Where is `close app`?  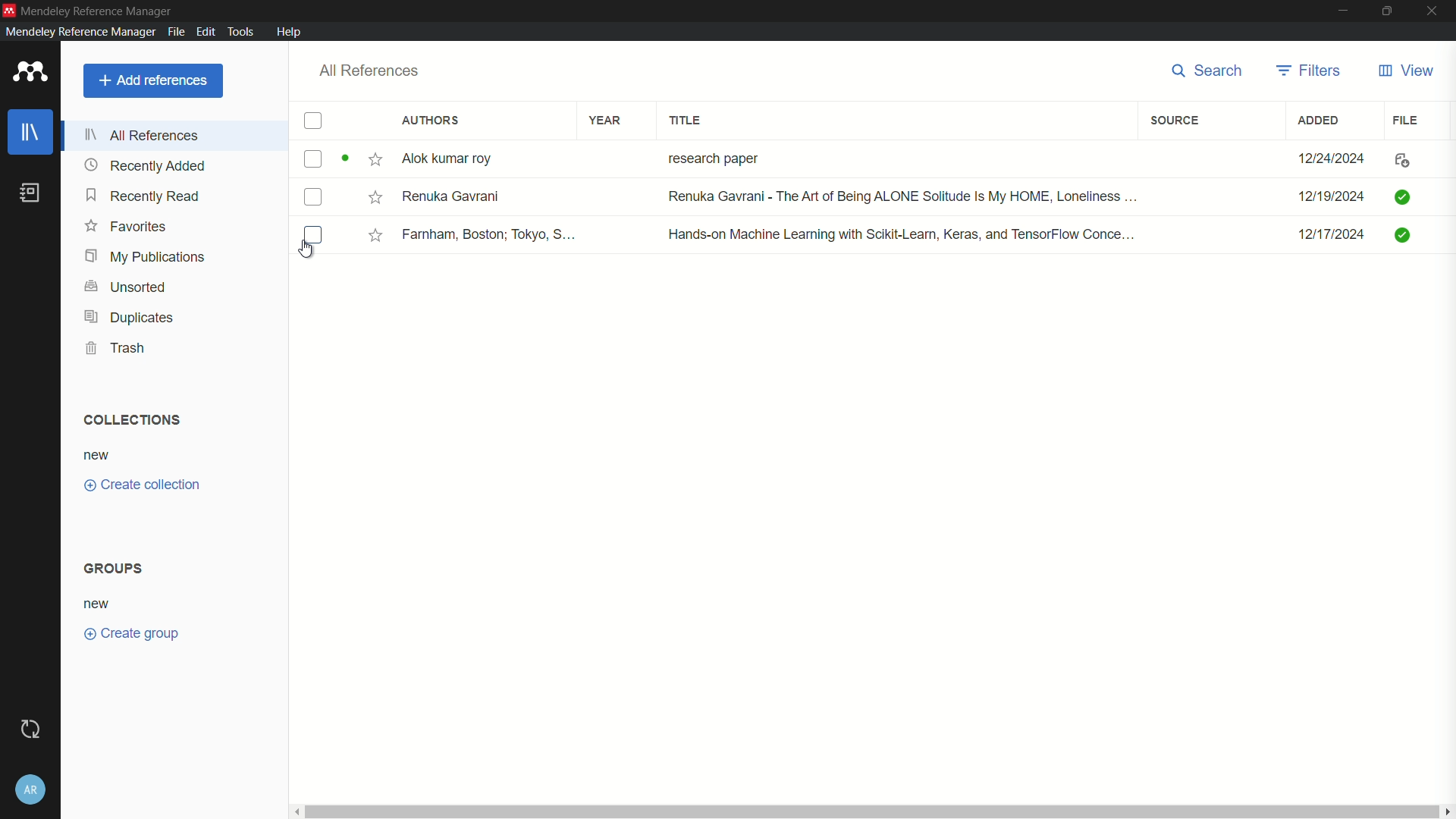
close app is located at coordinates (1433, 10).